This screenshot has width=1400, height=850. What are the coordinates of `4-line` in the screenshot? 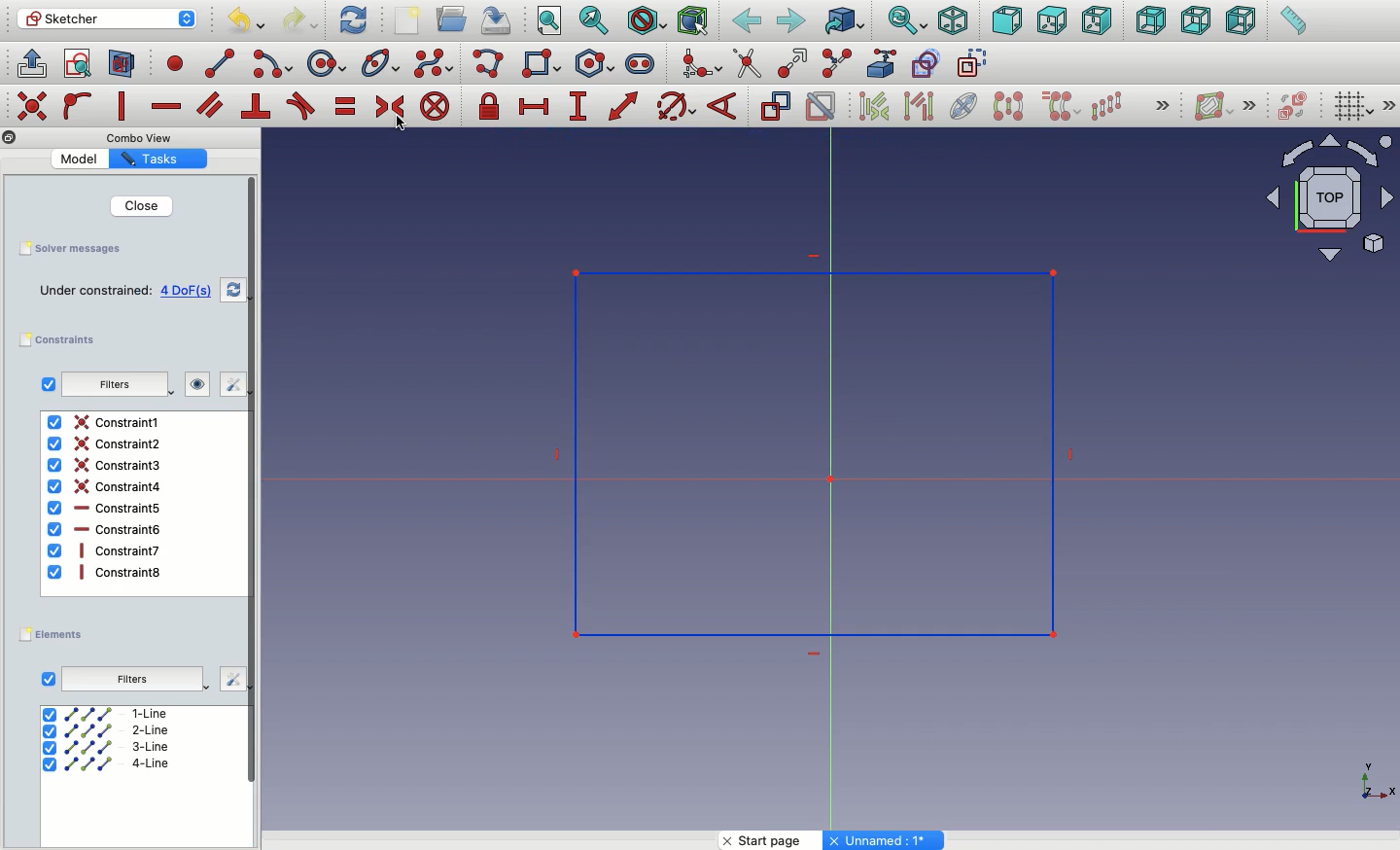 It's located at (107, 763).